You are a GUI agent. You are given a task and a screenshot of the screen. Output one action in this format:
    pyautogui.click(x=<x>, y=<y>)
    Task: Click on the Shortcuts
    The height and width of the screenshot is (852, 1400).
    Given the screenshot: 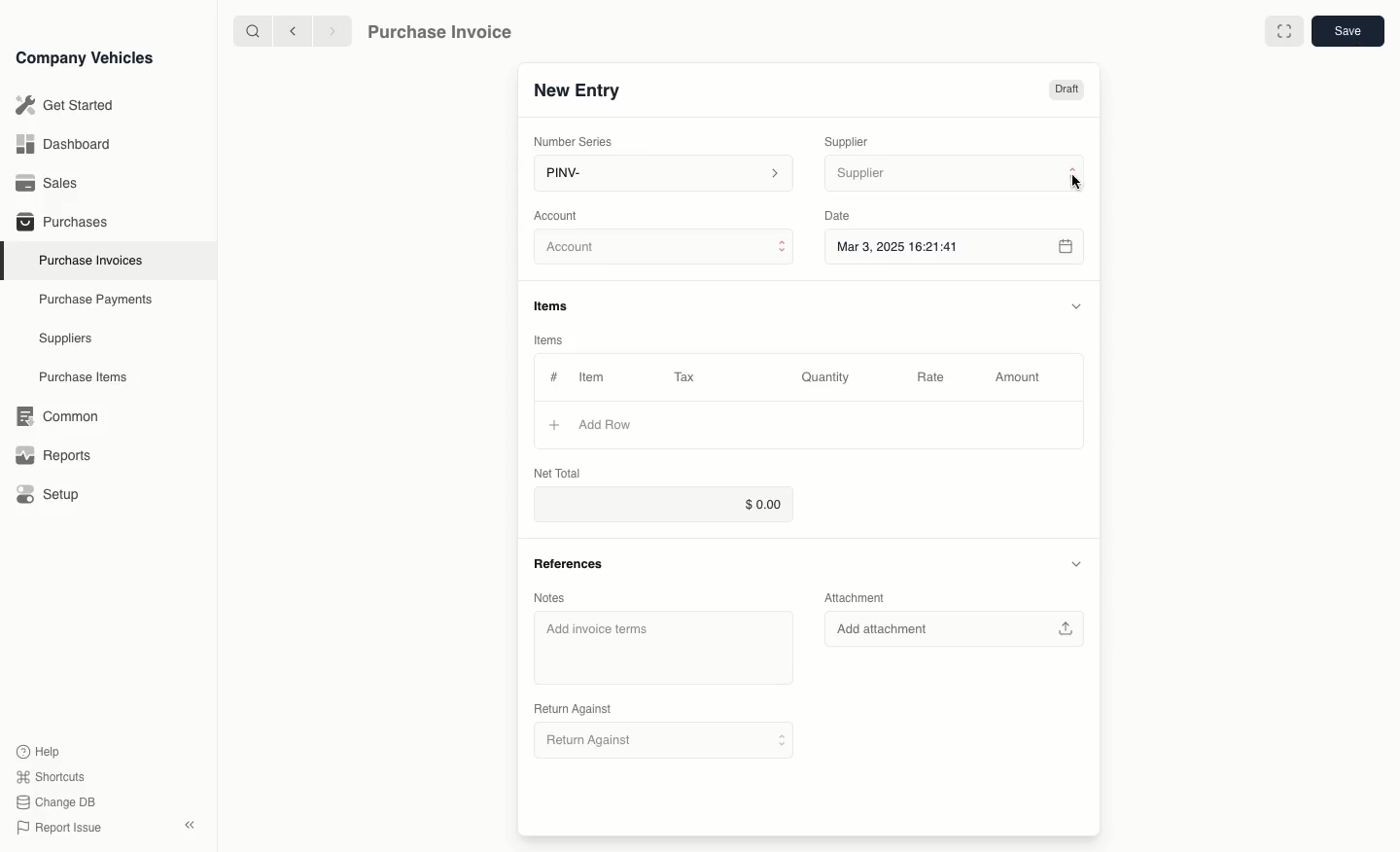 What is the action you would take?
    pyautogui.click(x=52, y=778)
    